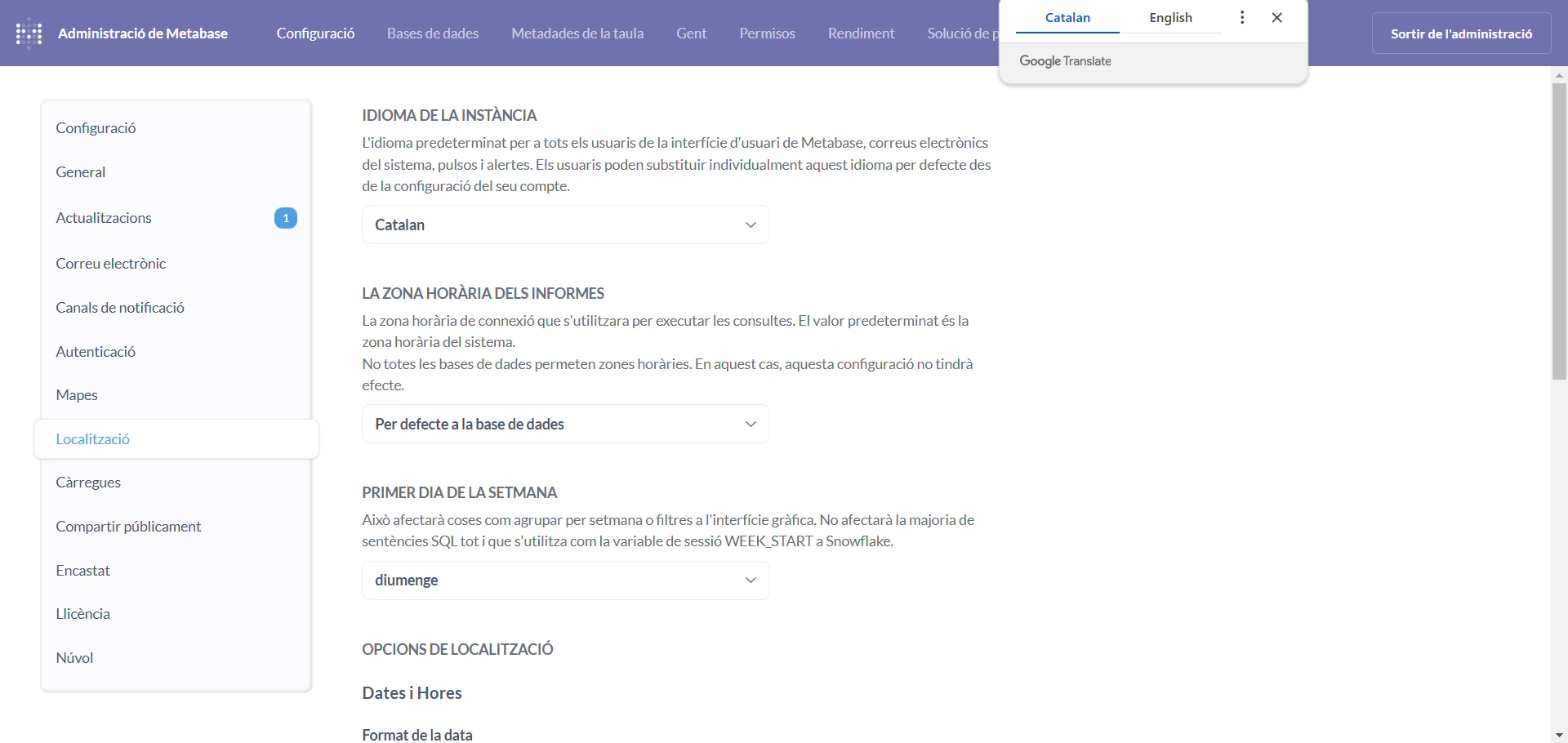 The height and width of the screenshot is (743, 1568). What do you see at coordinates (1066, 18) in the screenshot?
I see `catalan` at bounding box center [1066, 18].